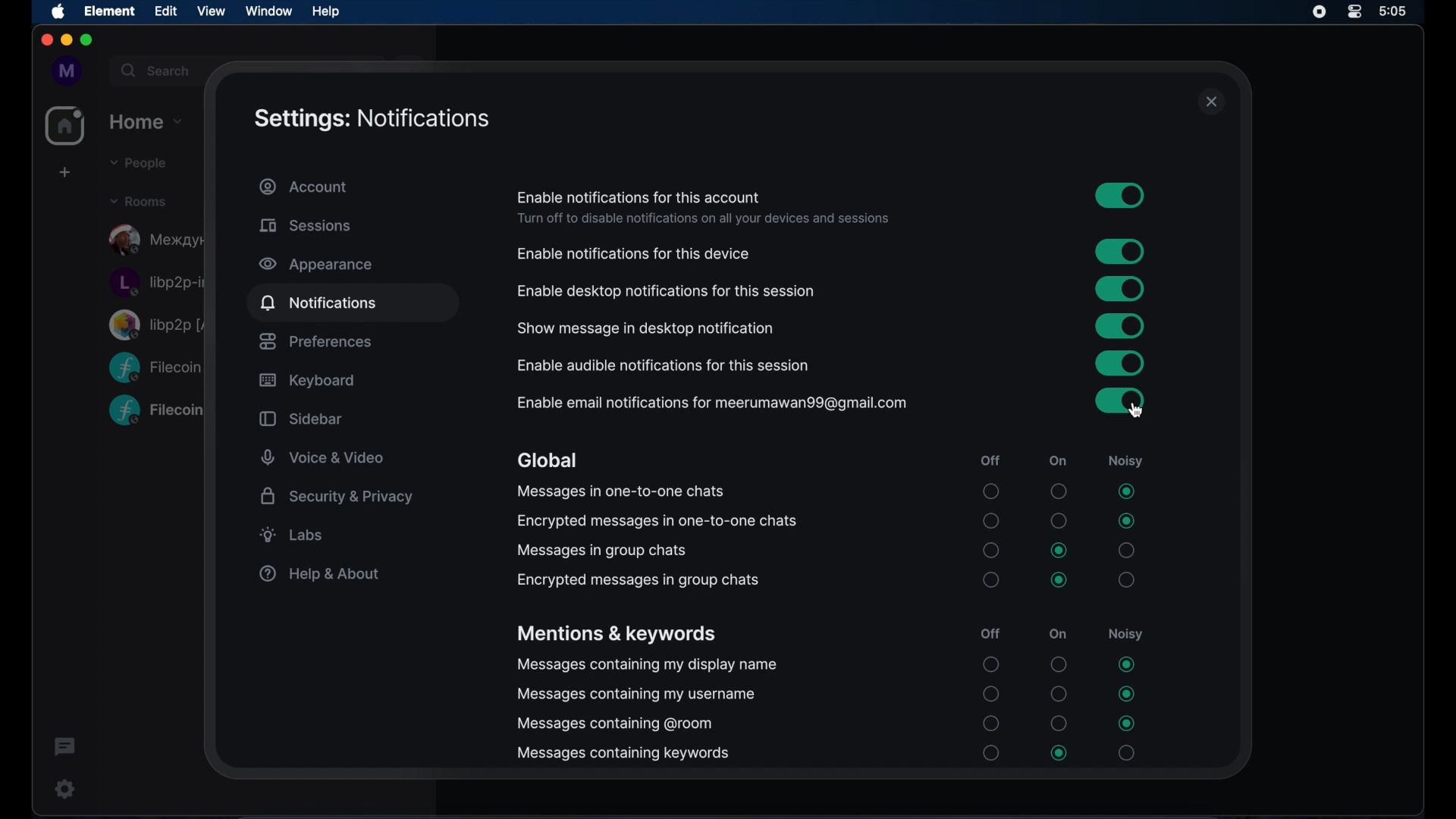 The height and width of the screenshot is (819, 1456). What do you see at coordinates (1406, 14) in the screenshot?
I see `5:05` at bounding box center [1406, 14].